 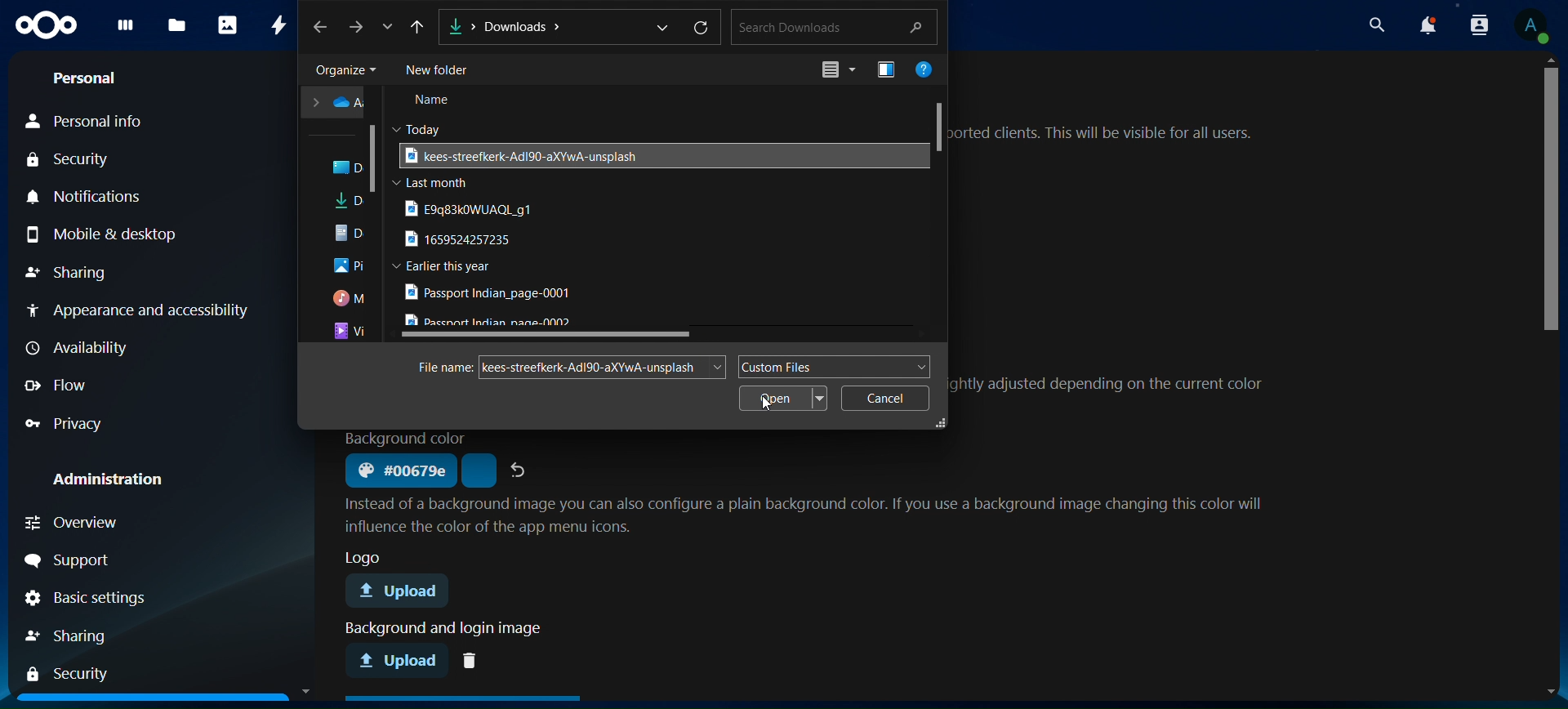 What do you see at coordinates (120, 474) in the screenshot?
I see `administration` at bounding box center [120, 474].